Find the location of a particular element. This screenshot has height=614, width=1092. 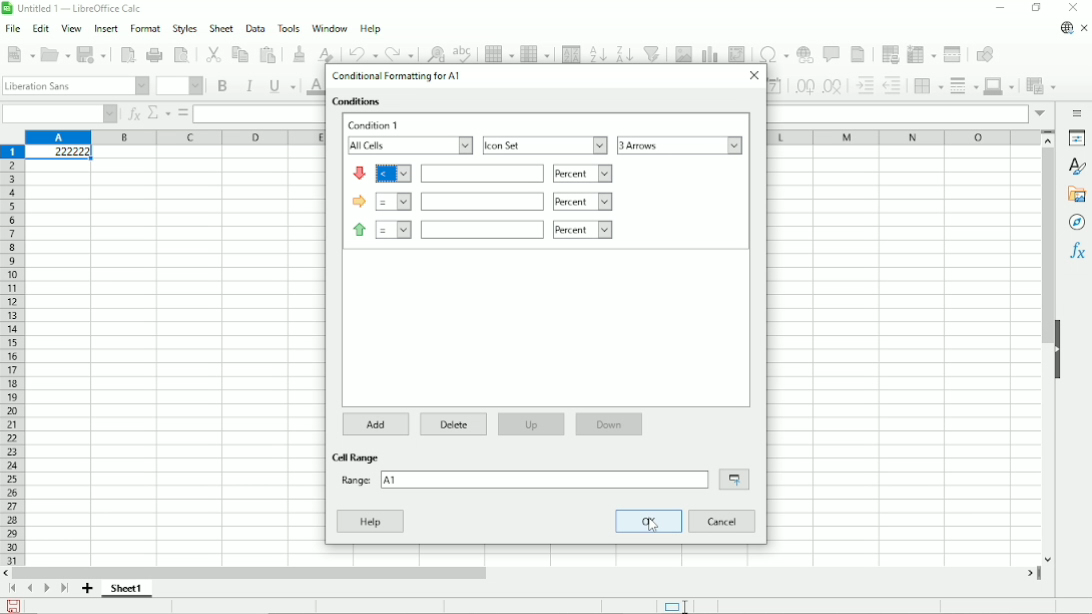

Function wizard is located at coordinates (132, 114).